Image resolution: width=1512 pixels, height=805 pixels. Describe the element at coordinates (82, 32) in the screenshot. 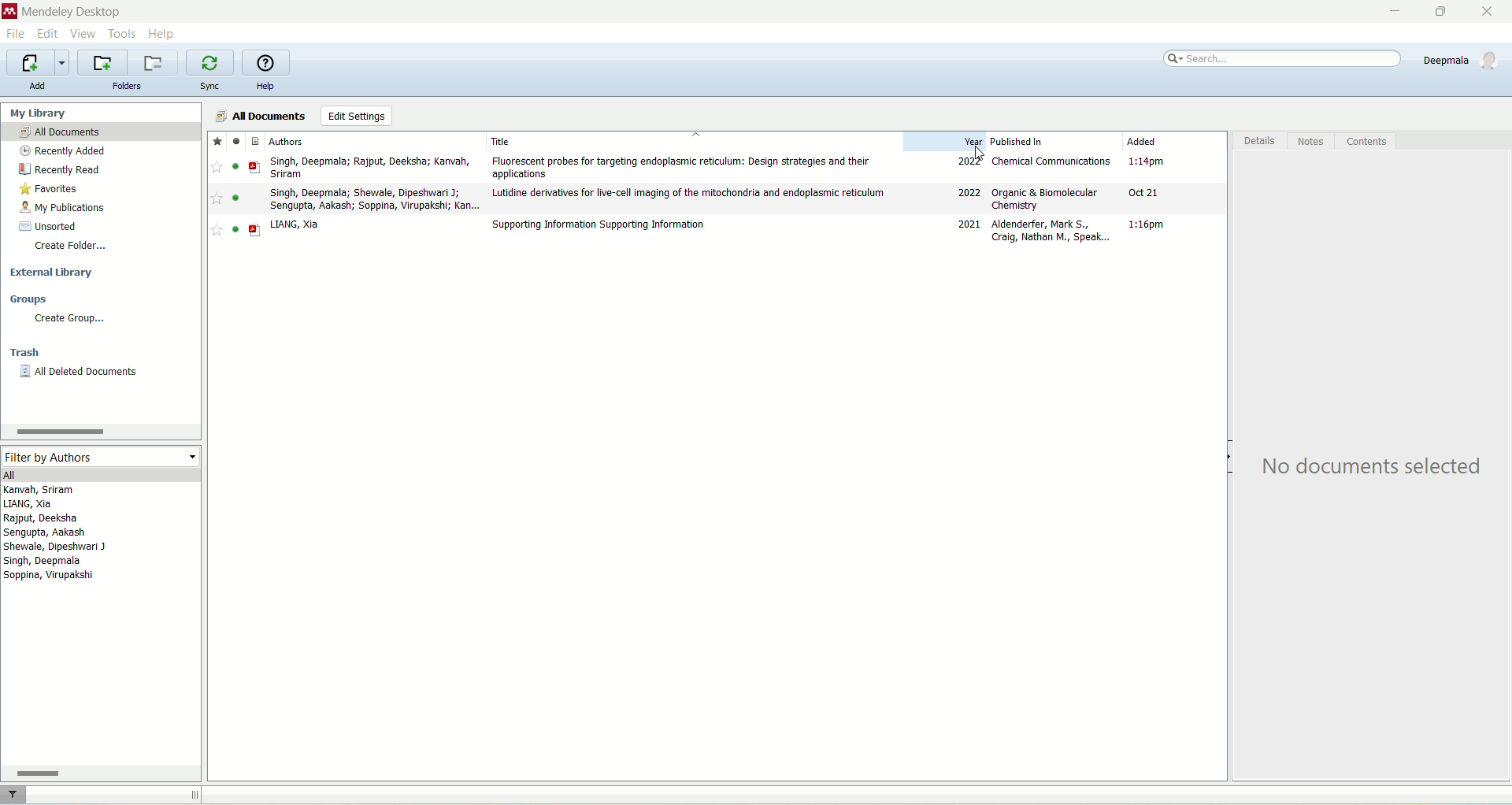

I see `view` at that location.